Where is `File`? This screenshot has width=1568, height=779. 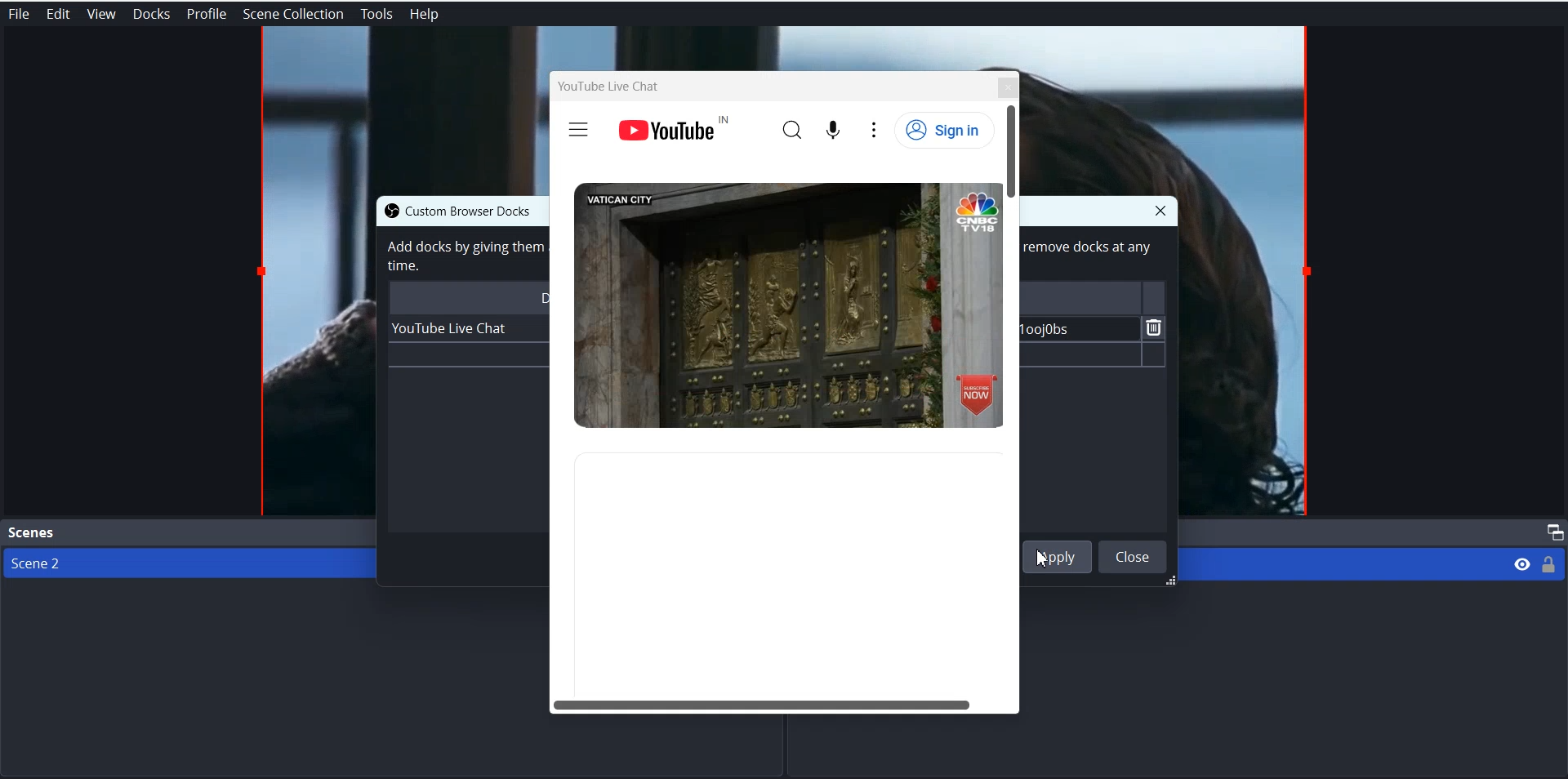
File is located at coordinates (18, 14).